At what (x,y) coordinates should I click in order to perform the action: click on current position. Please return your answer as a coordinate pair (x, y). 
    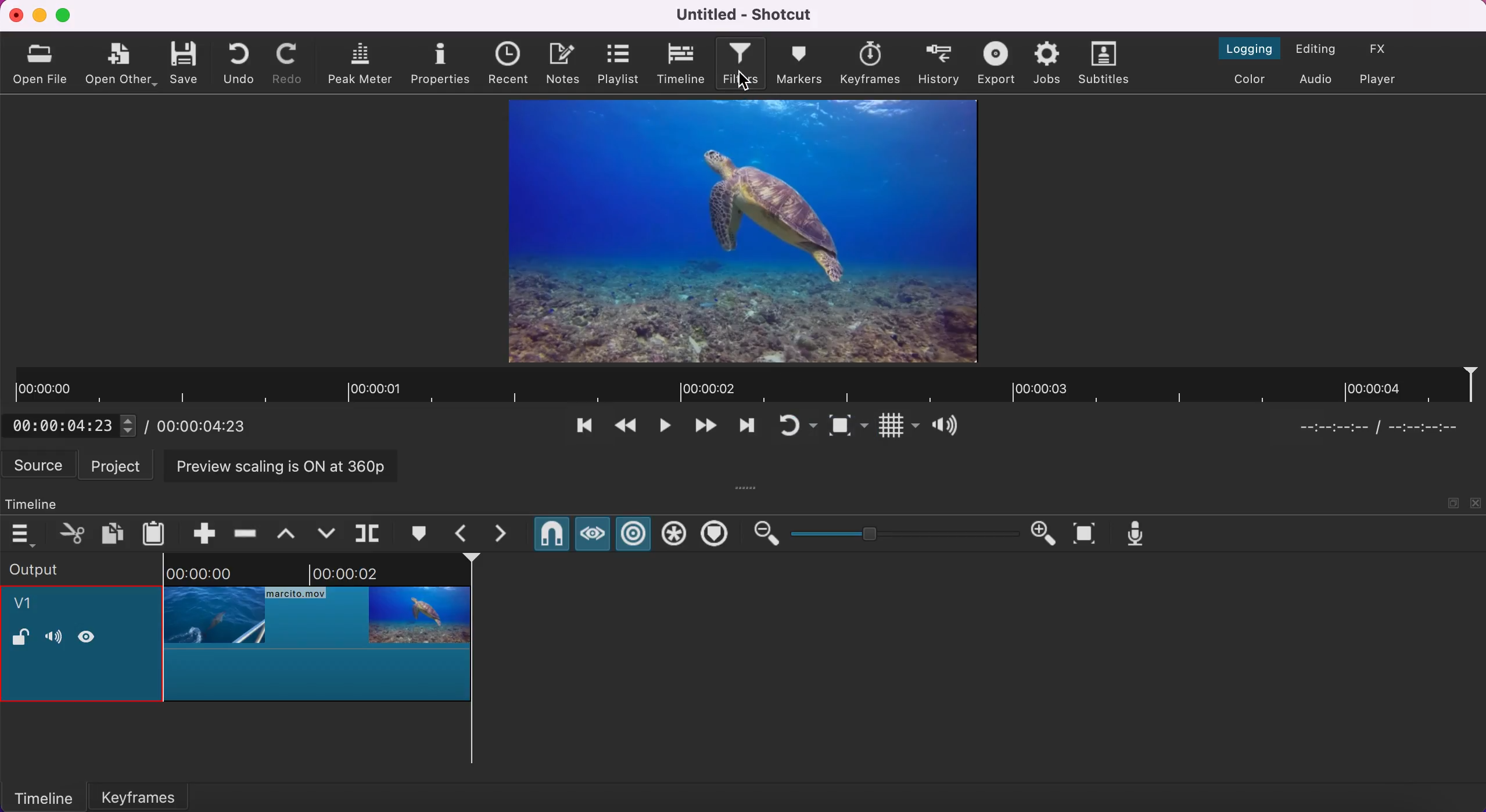
    Looking at the image, I should click on (75, 425).